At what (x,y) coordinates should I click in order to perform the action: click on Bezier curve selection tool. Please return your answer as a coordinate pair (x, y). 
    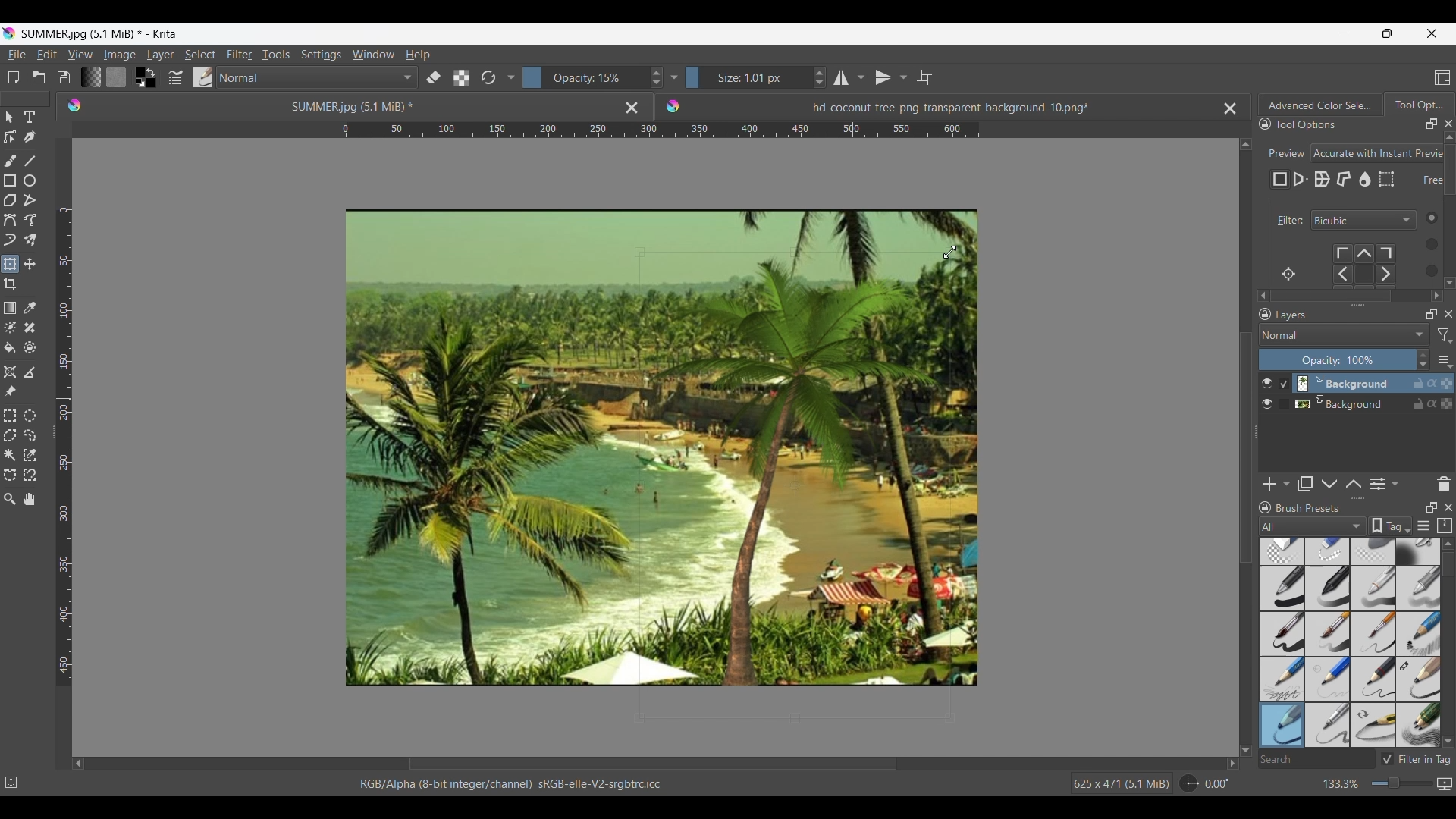
    Looking at the image, I should click on (10, 474).